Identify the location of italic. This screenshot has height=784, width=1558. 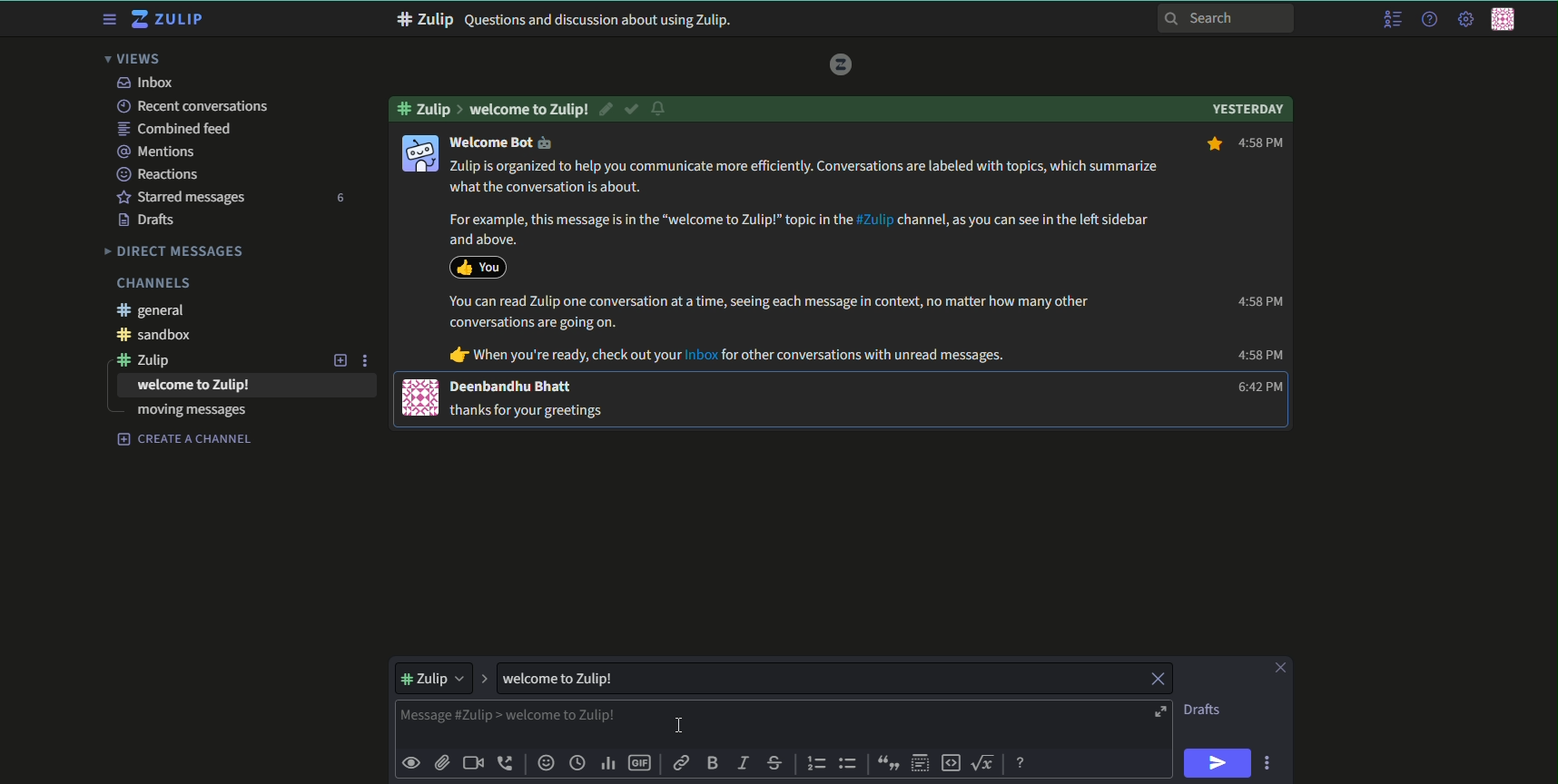
(742, 765).